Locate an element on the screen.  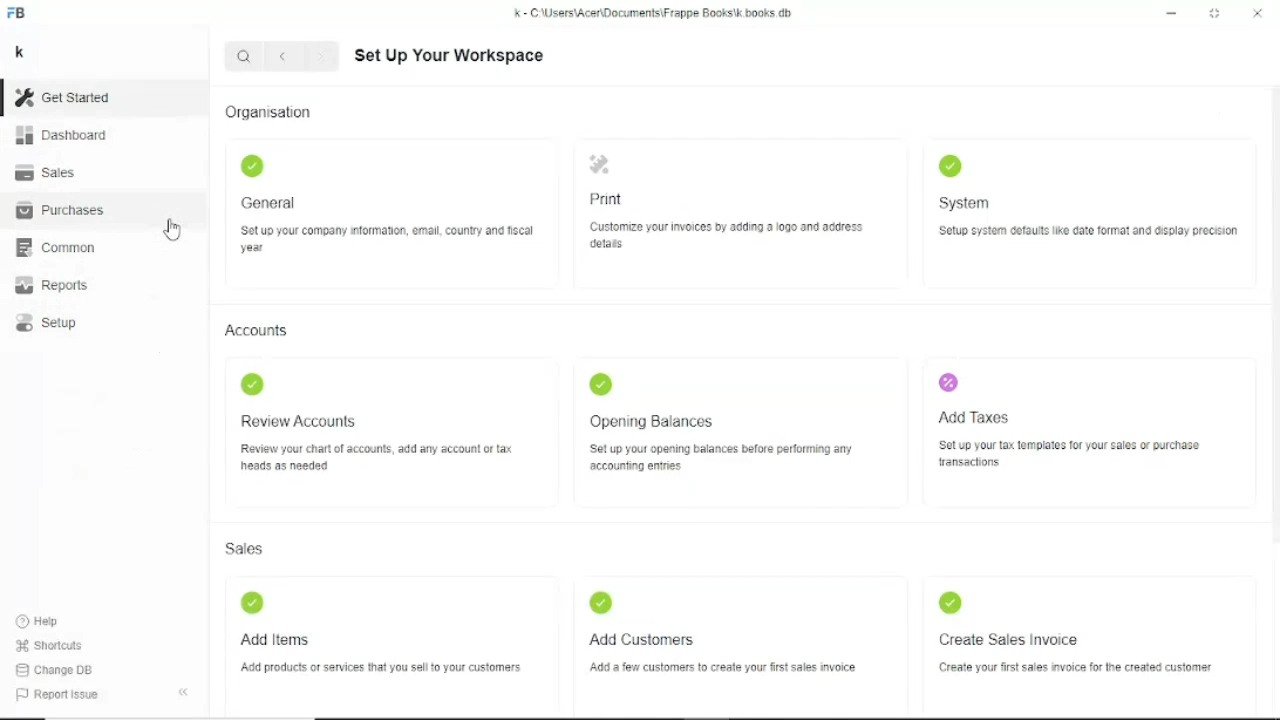
Setup is located at coordinates (46, 322).